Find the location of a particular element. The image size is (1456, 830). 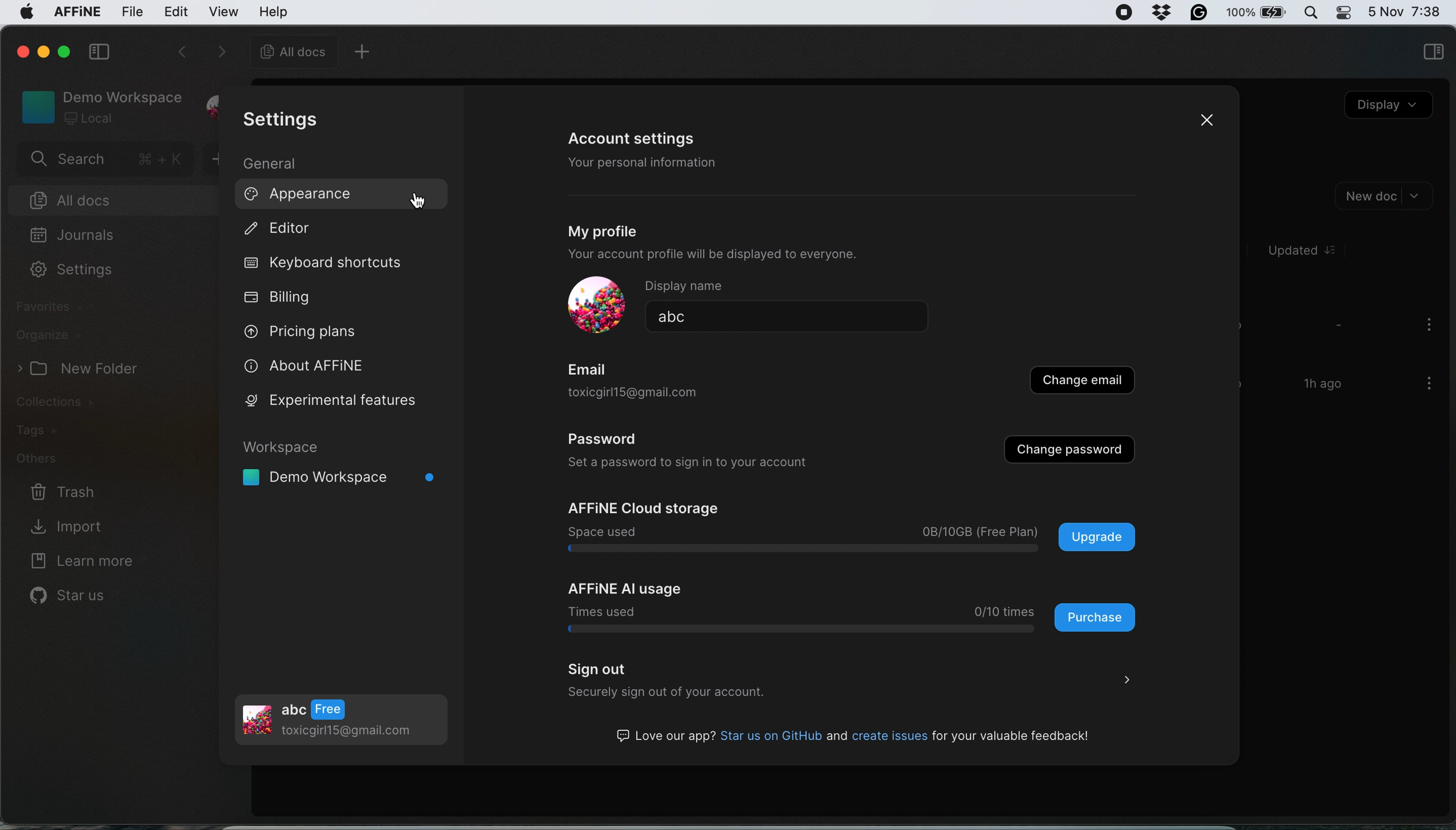

purchase is located at coordinates (1091, 619).